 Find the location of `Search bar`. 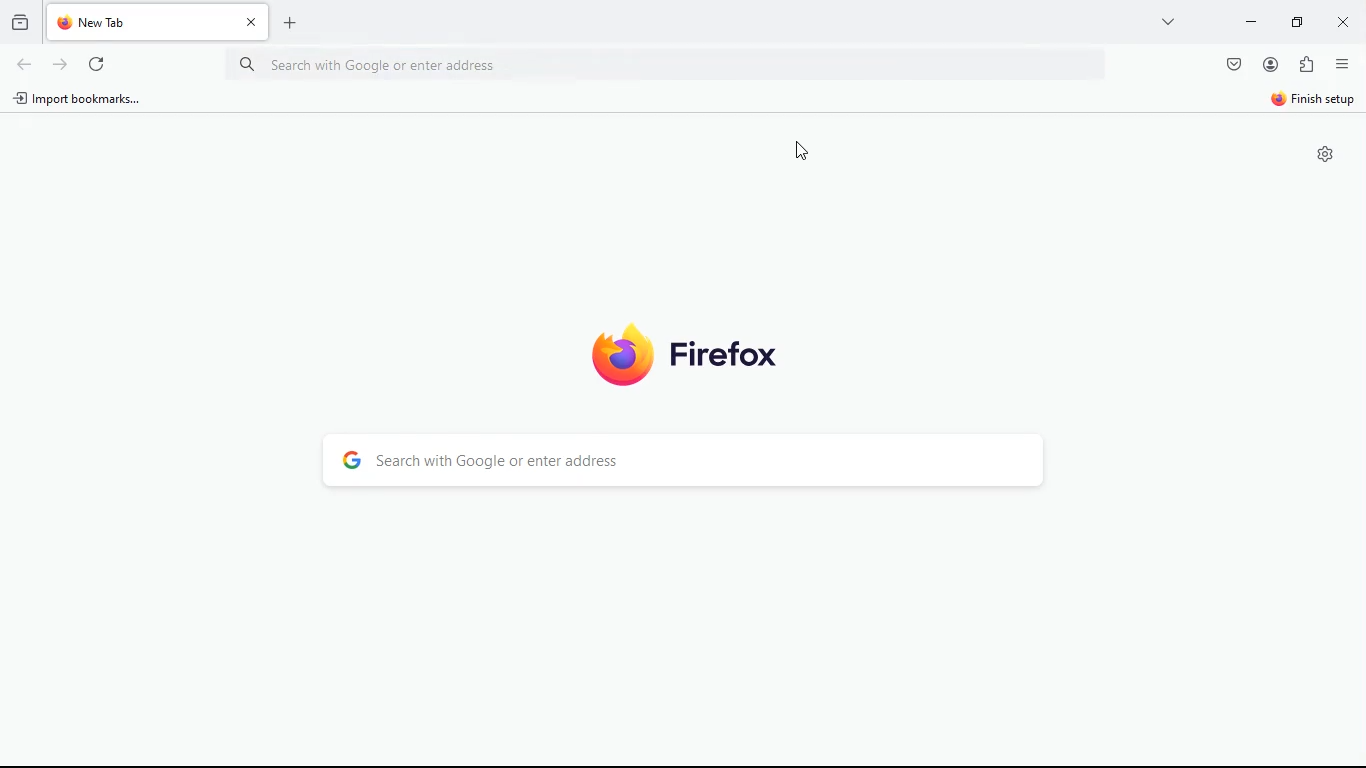

Search bar is located at coordinates (681, 66).